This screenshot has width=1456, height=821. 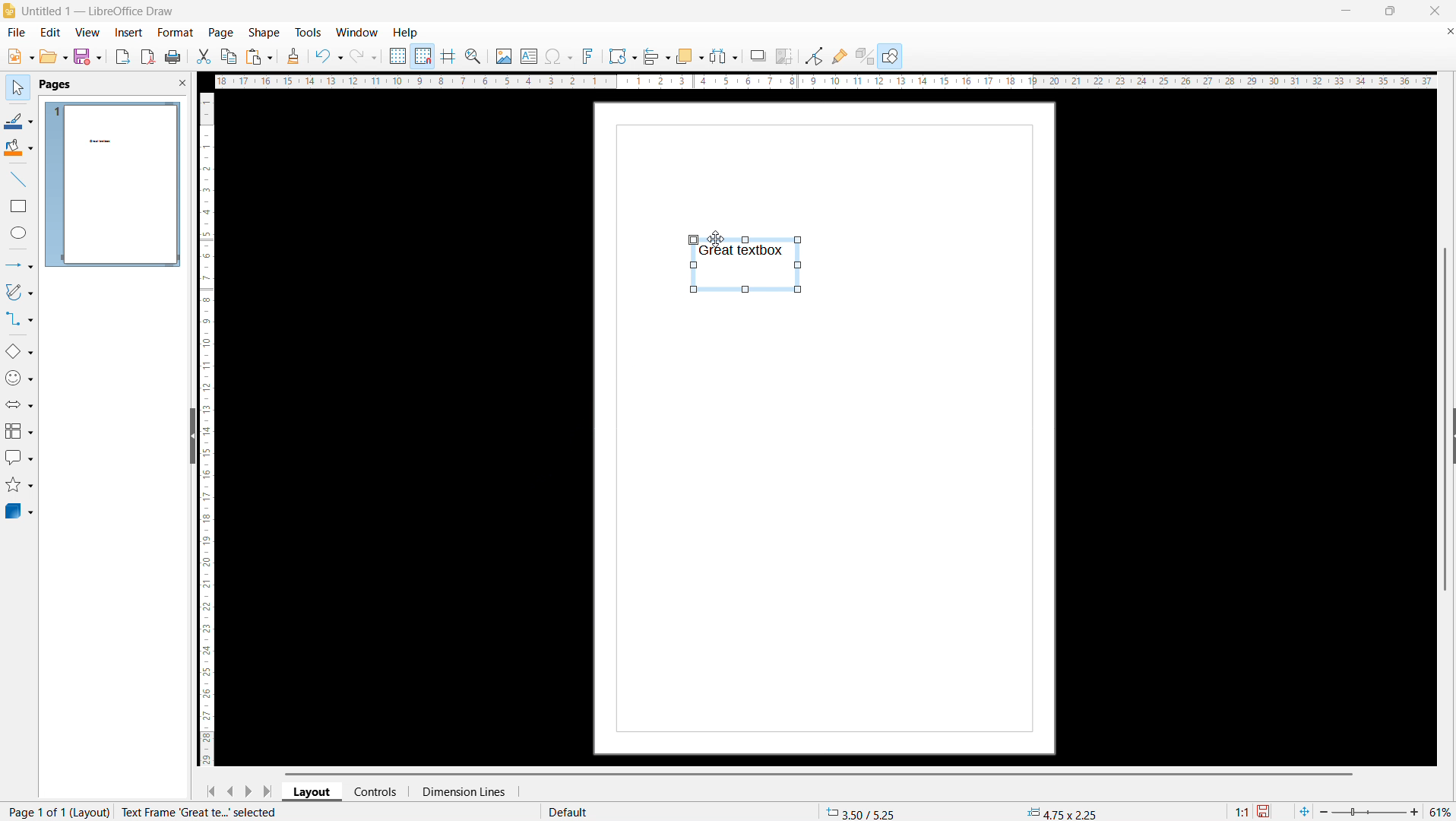 What do you see at coordinates (19, 352) in the screenshot?
I see `basic shapes` at bounding box center [19, 352].